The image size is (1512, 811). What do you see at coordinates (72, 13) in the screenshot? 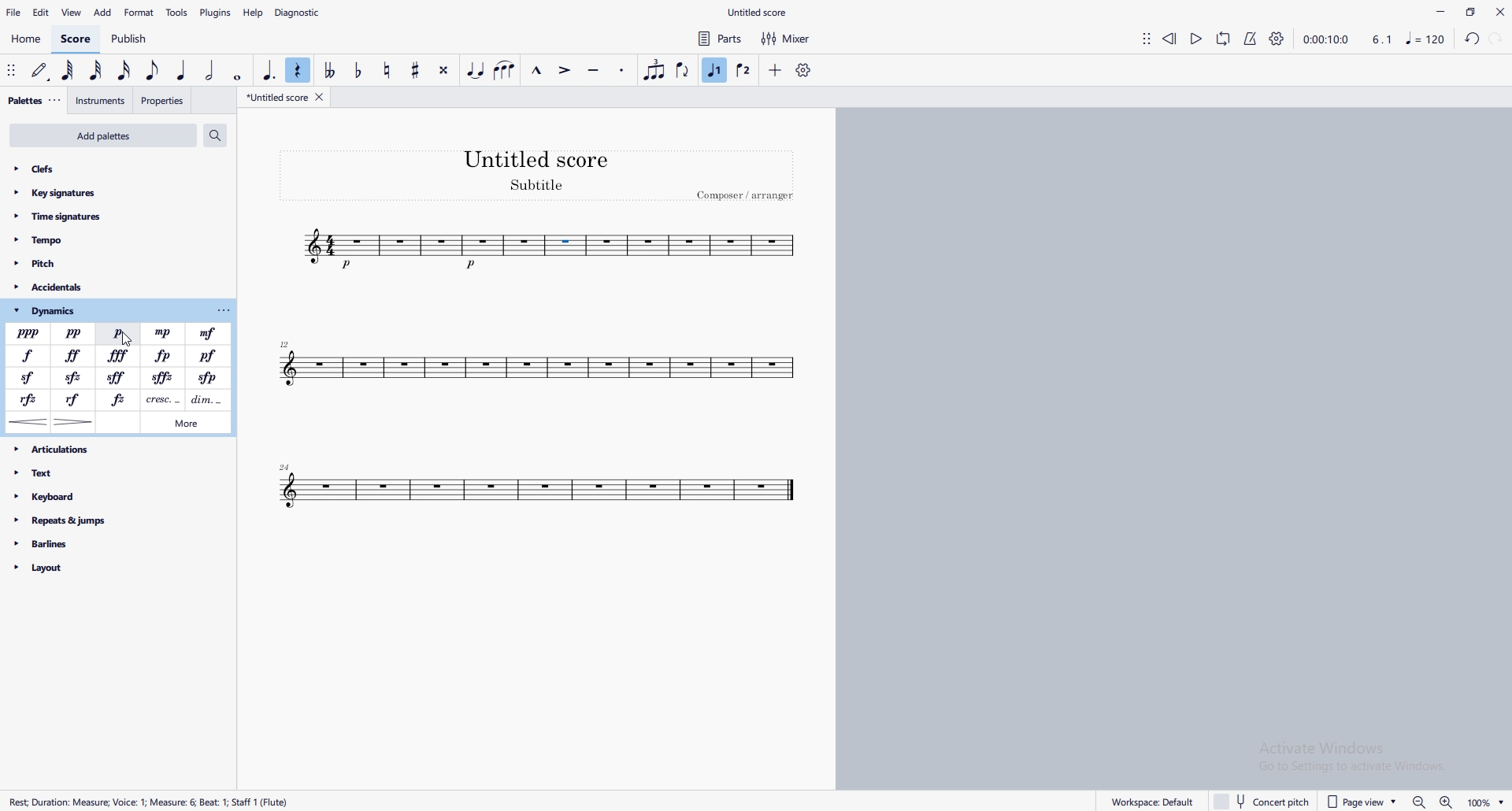
I see `view` at bounding box center [72, 13].